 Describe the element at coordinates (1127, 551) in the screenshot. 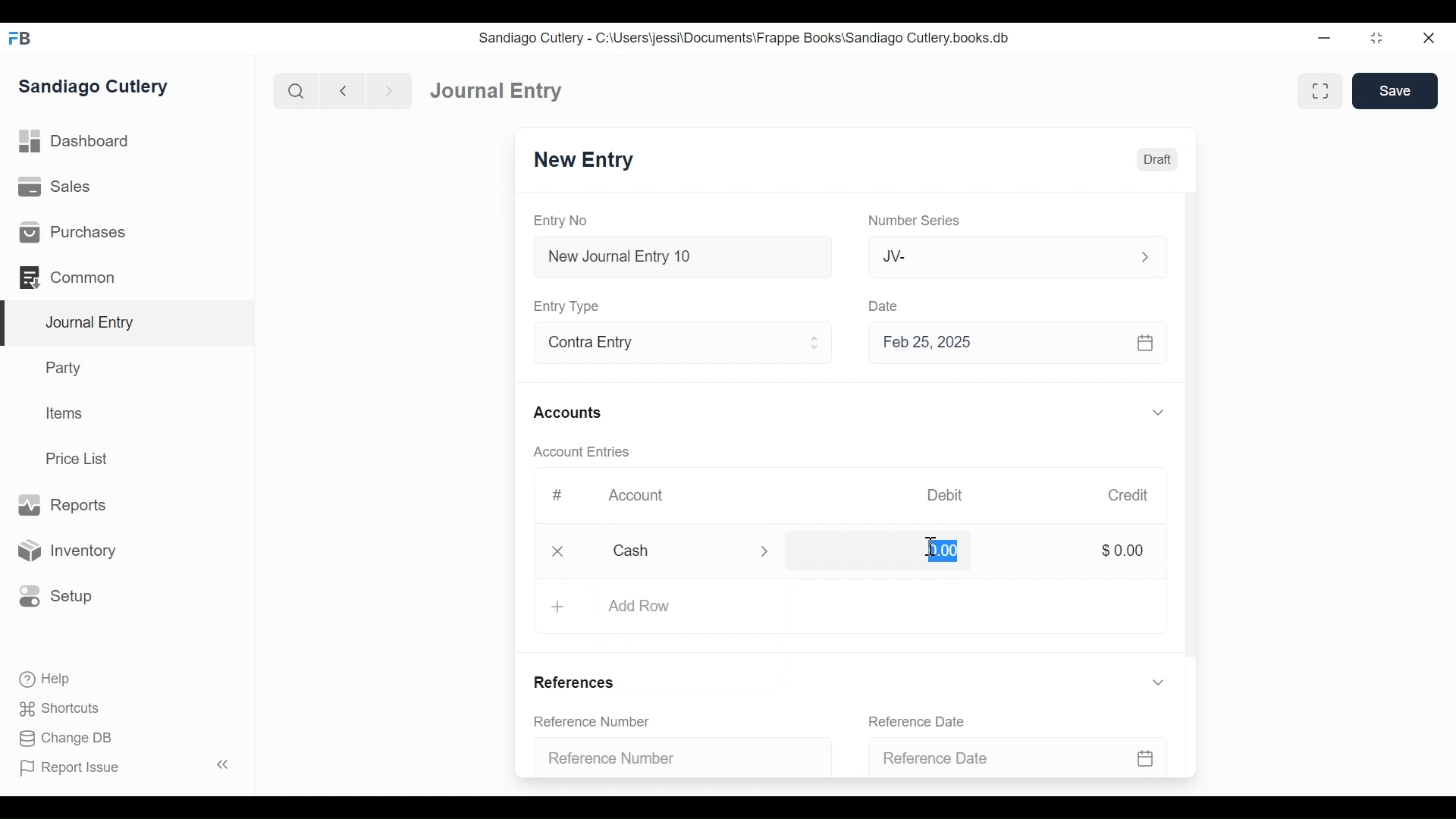

I see `$0.00` at that location.